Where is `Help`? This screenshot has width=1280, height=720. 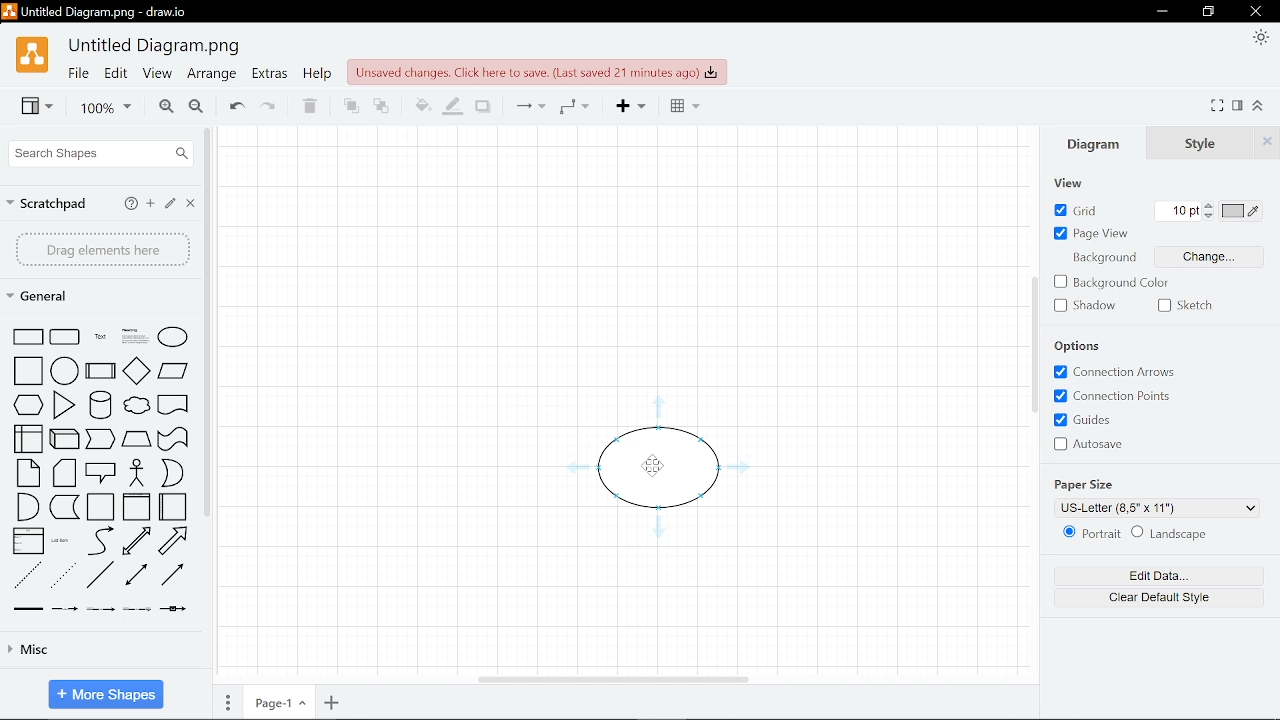 Help is located at coordinates (317, 74).